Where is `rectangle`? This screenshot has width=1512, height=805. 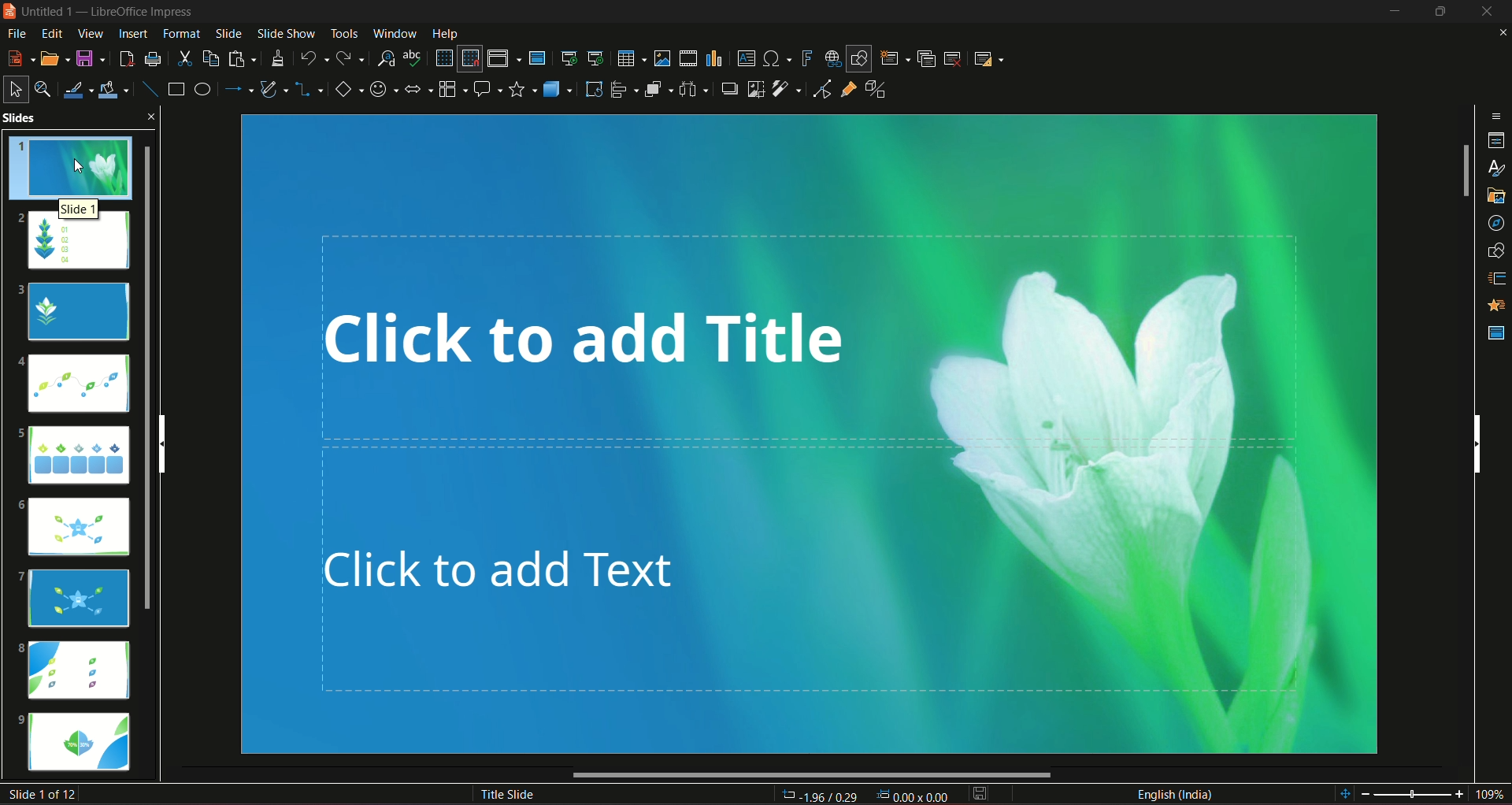 rectangle is located at coordinates (174, 90).